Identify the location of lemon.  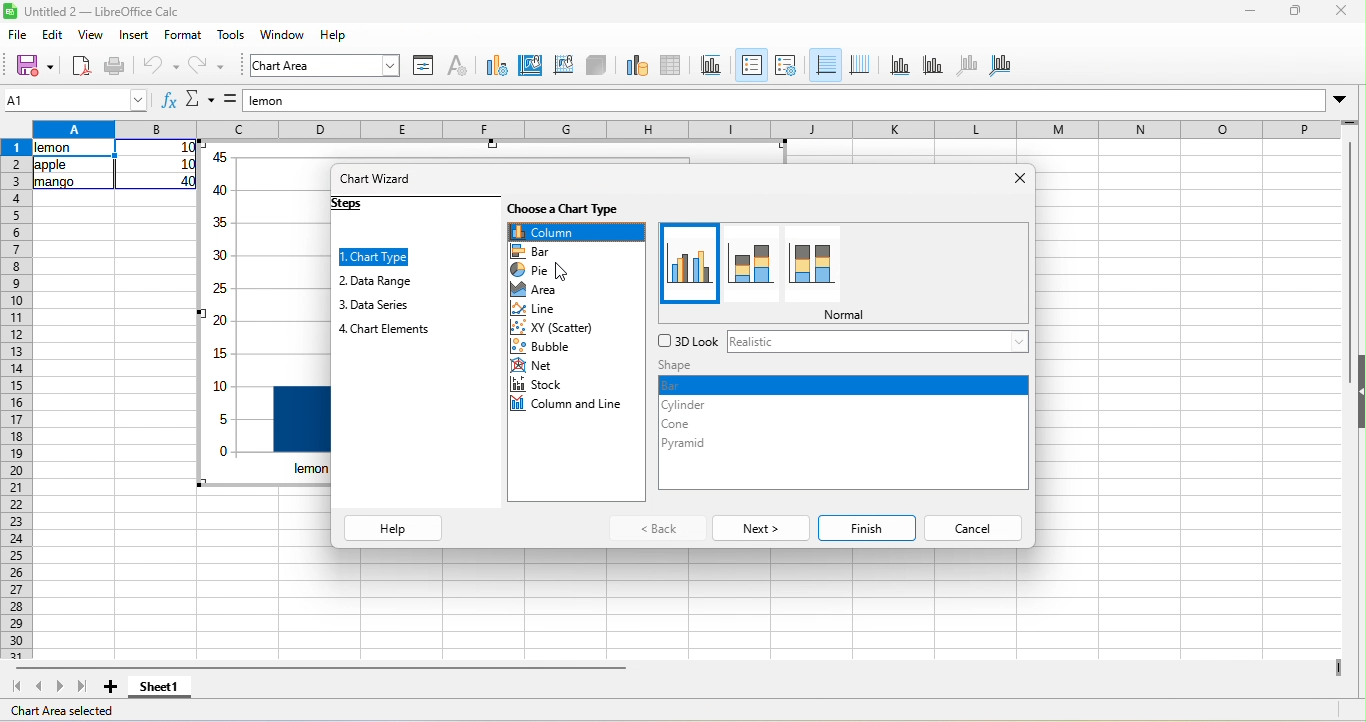
(75, 148).